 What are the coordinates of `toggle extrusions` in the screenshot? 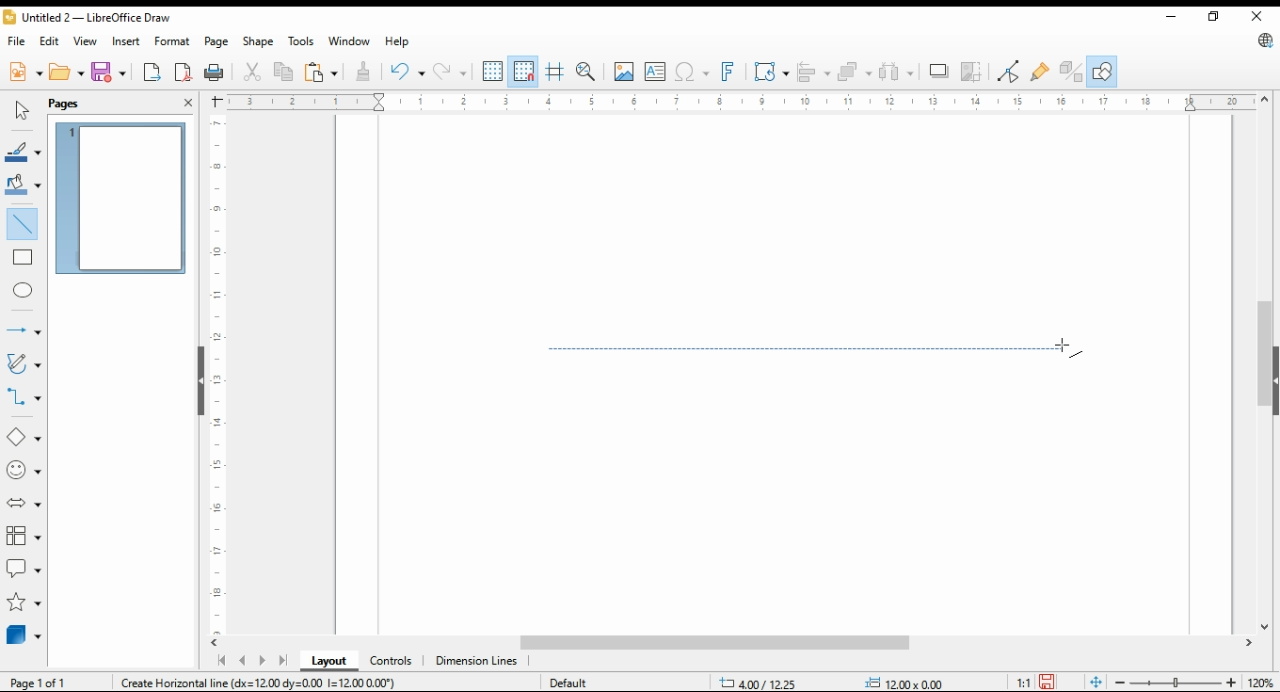 It's located at (1071, 72).